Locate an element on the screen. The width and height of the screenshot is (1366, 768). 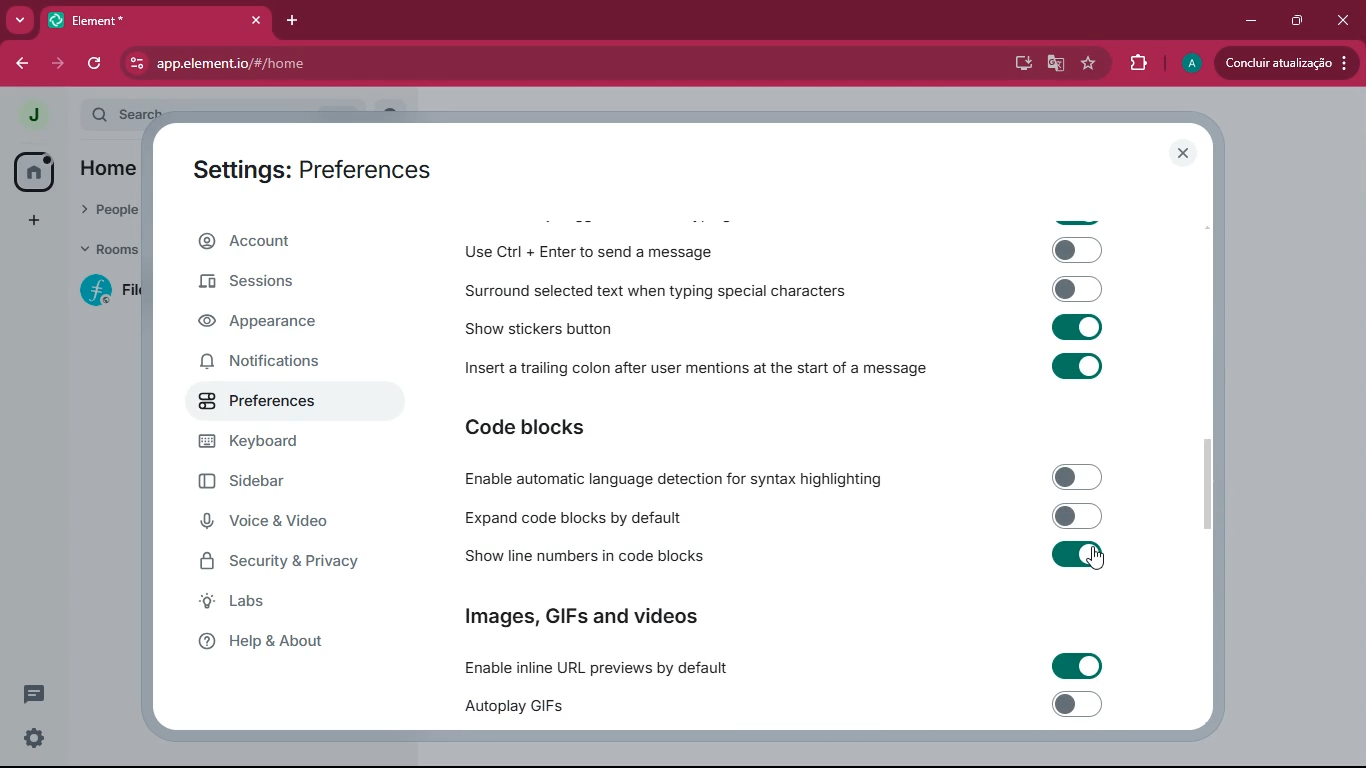
security & Privacy is located at coordinates (289, 562).